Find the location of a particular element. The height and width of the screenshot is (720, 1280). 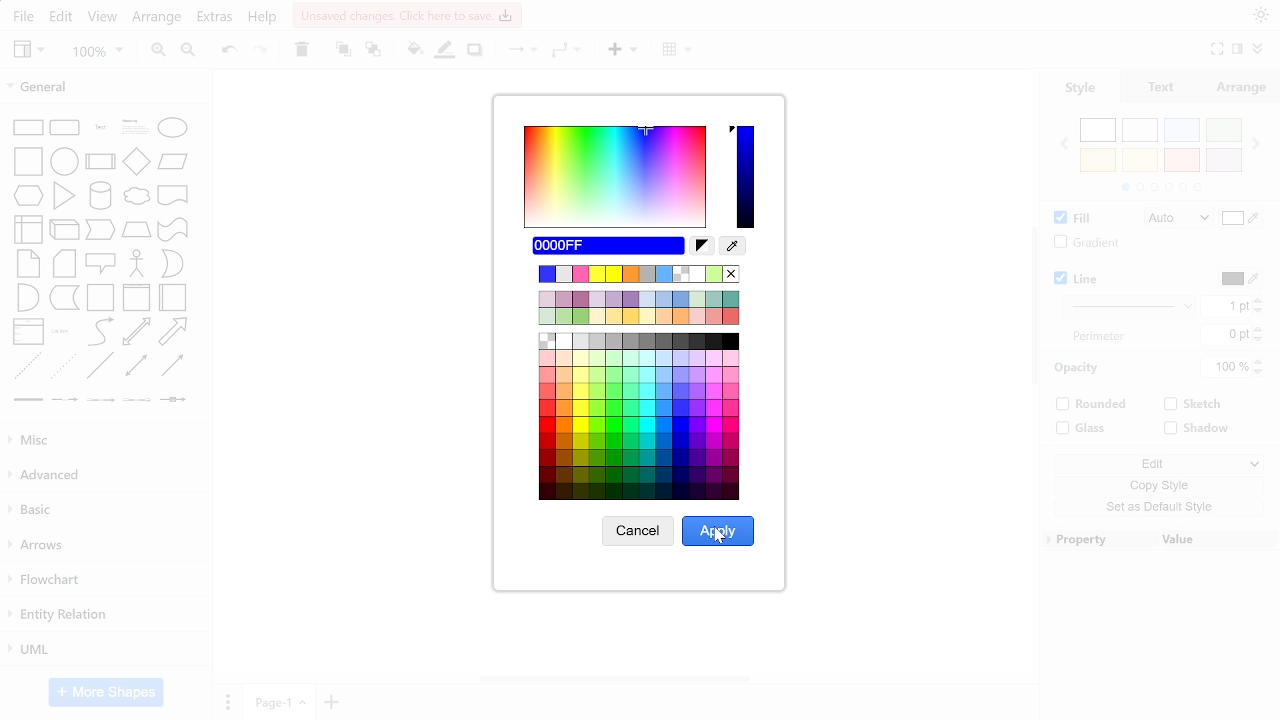

increase line width is located at coordinates (1258, 299).